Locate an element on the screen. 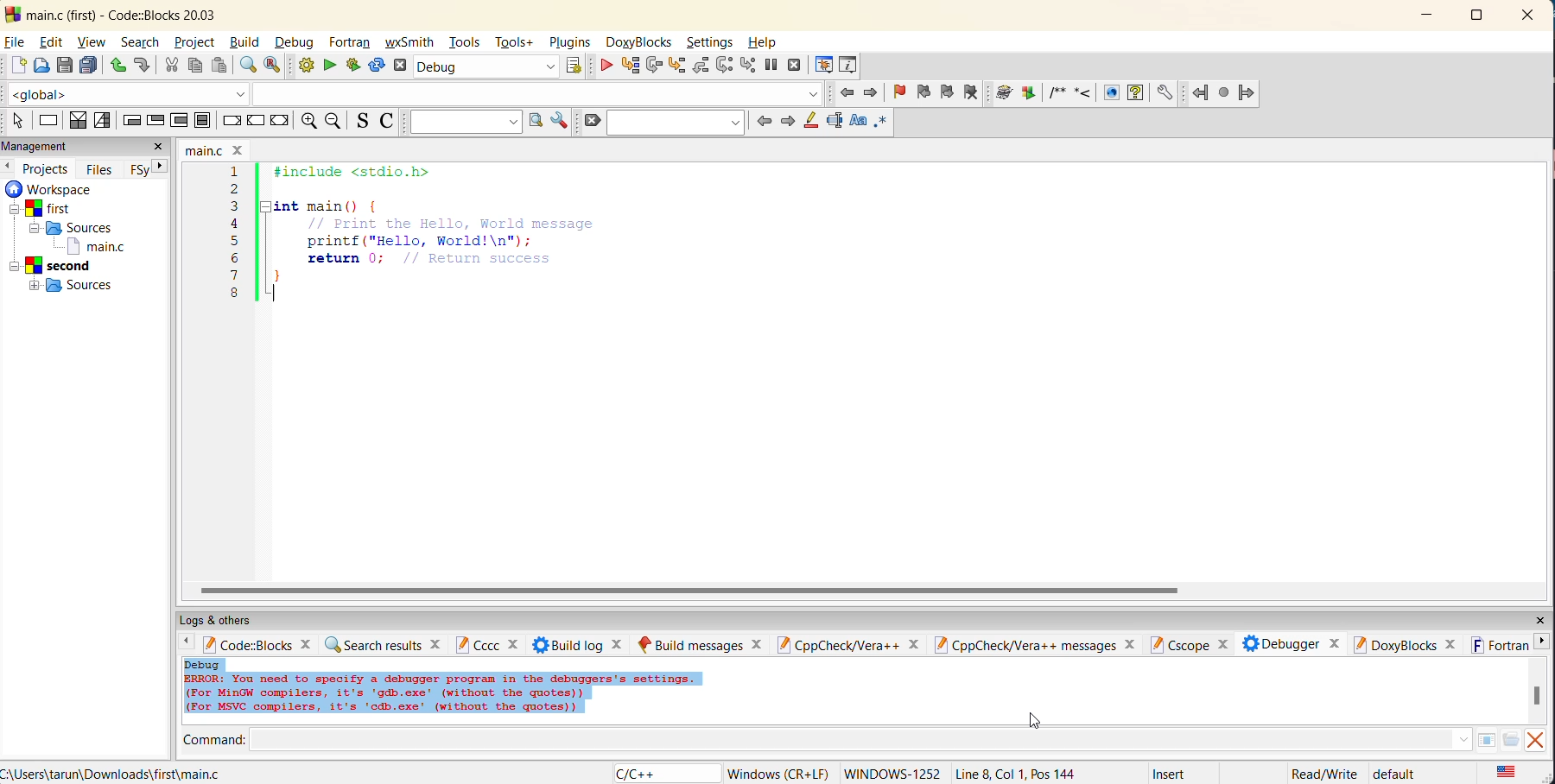 The height and width of the screenshot is (784, 1555). vertical scroll bar is located at coordinates (1539, 695).